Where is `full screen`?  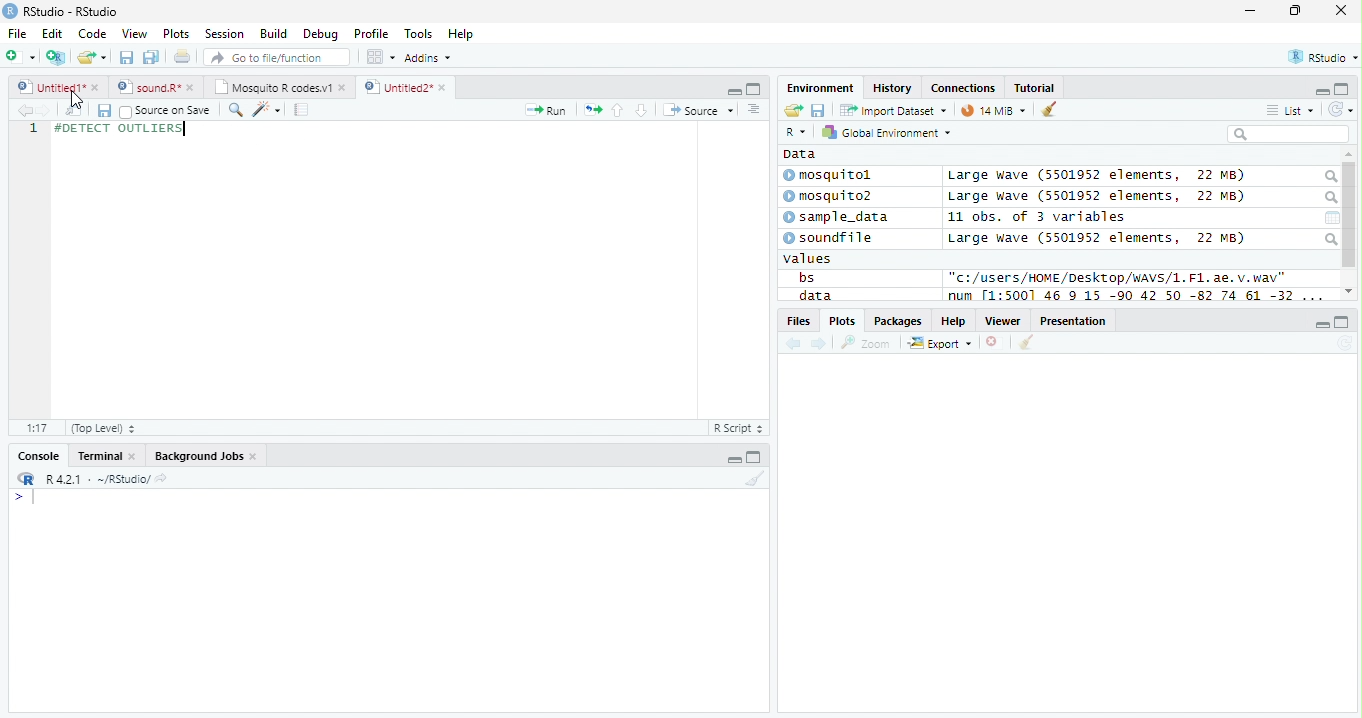 full screen is located at coordinates (754, 456).